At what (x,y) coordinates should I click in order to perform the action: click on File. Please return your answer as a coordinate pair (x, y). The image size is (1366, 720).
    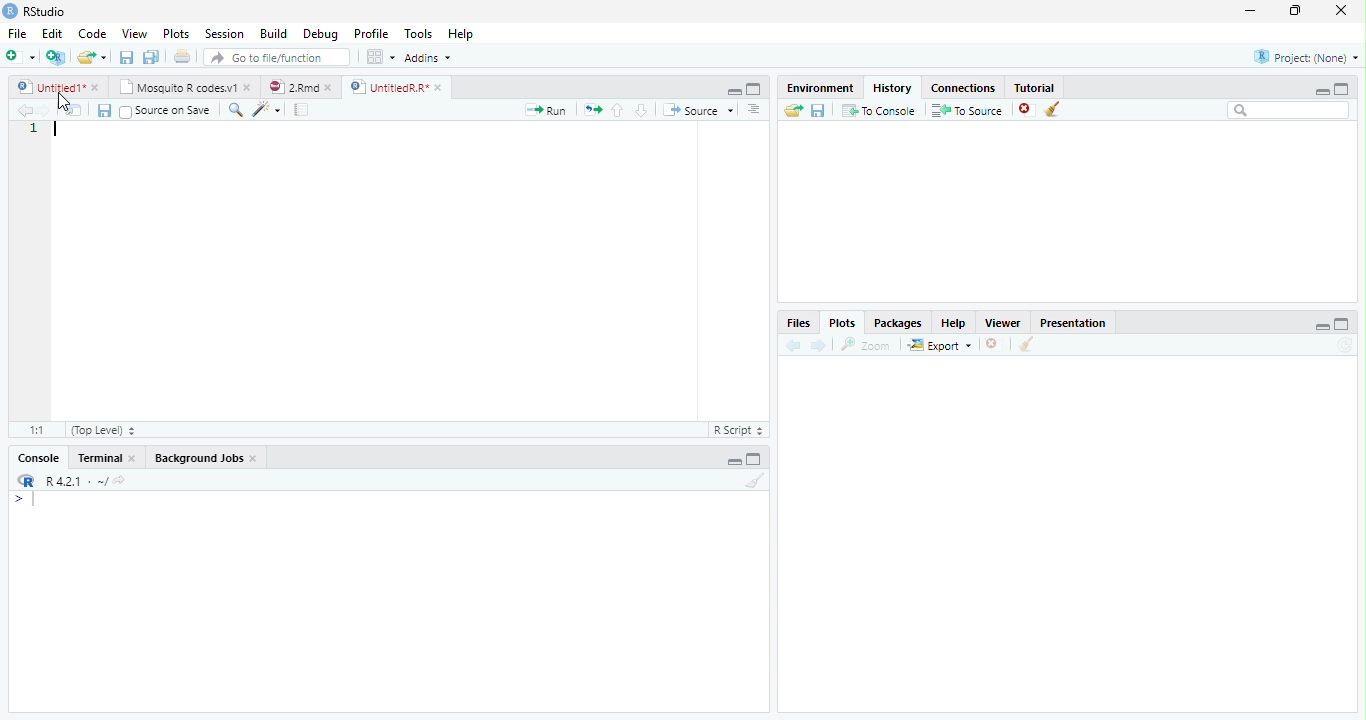
    Looking at the image, I should click on (17, 33).